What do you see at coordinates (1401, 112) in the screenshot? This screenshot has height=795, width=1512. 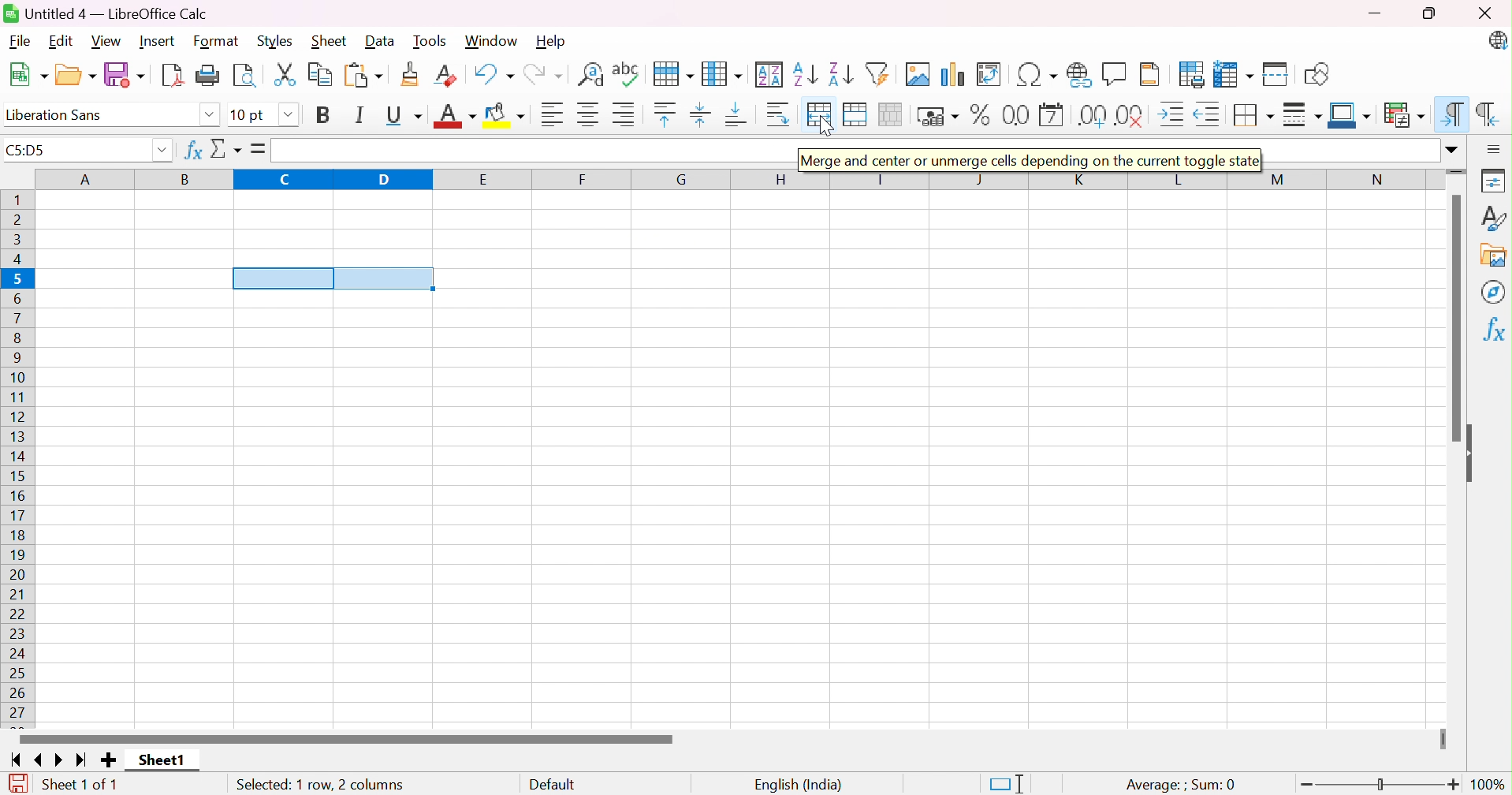 I see `Conditional` at bounding box center [1401, 112].